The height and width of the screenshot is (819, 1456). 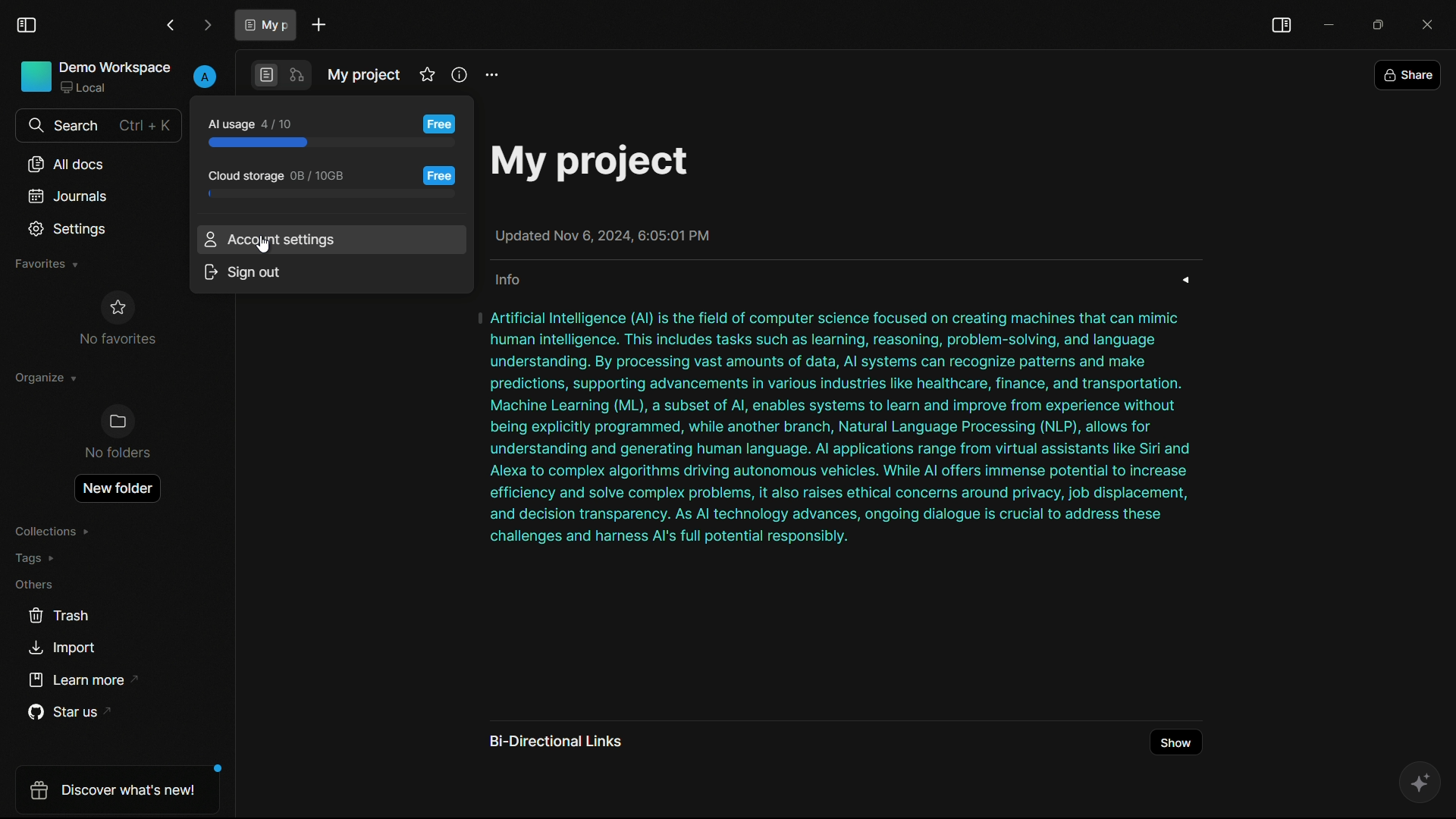 What do you see at coordinates (240, 274) in the screenshot?
I see `sign out` at bounding box center [240, 274].